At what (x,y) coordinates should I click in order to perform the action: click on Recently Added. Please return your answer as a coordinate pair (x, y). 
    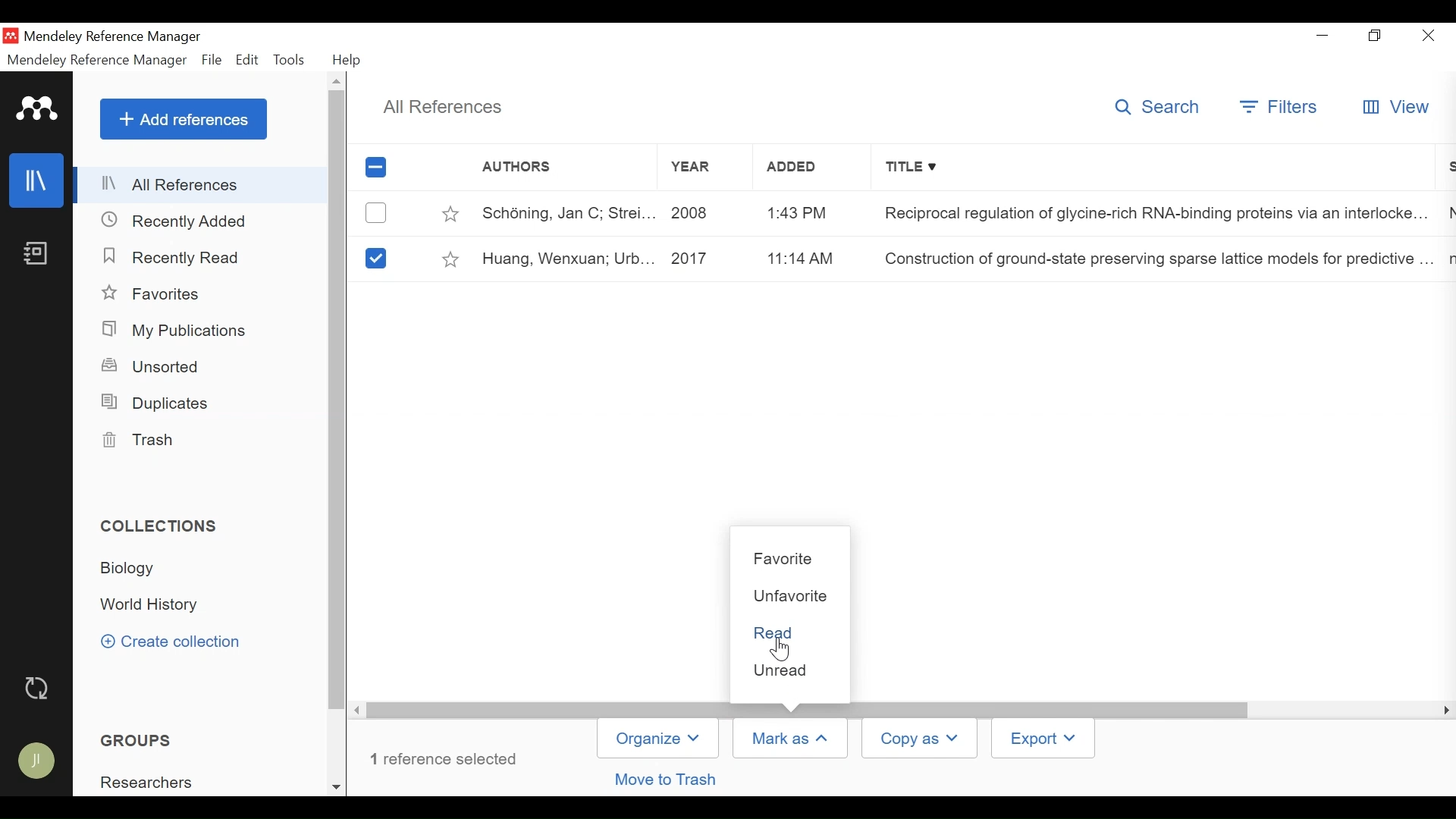
    Looking at the image, I should click on (183, 221).